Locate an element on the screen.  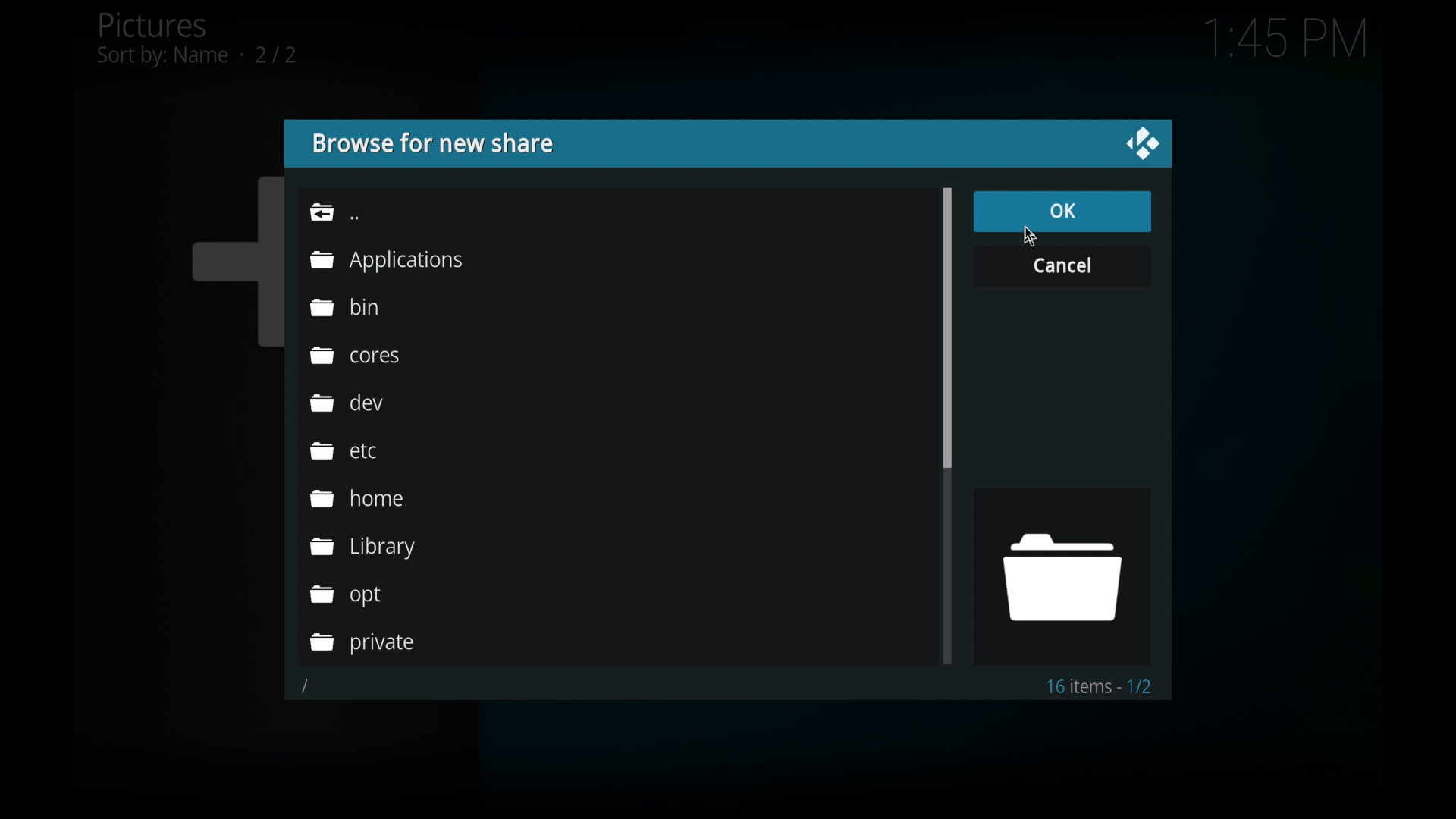
scroll box is located at coordinates (948, 327).